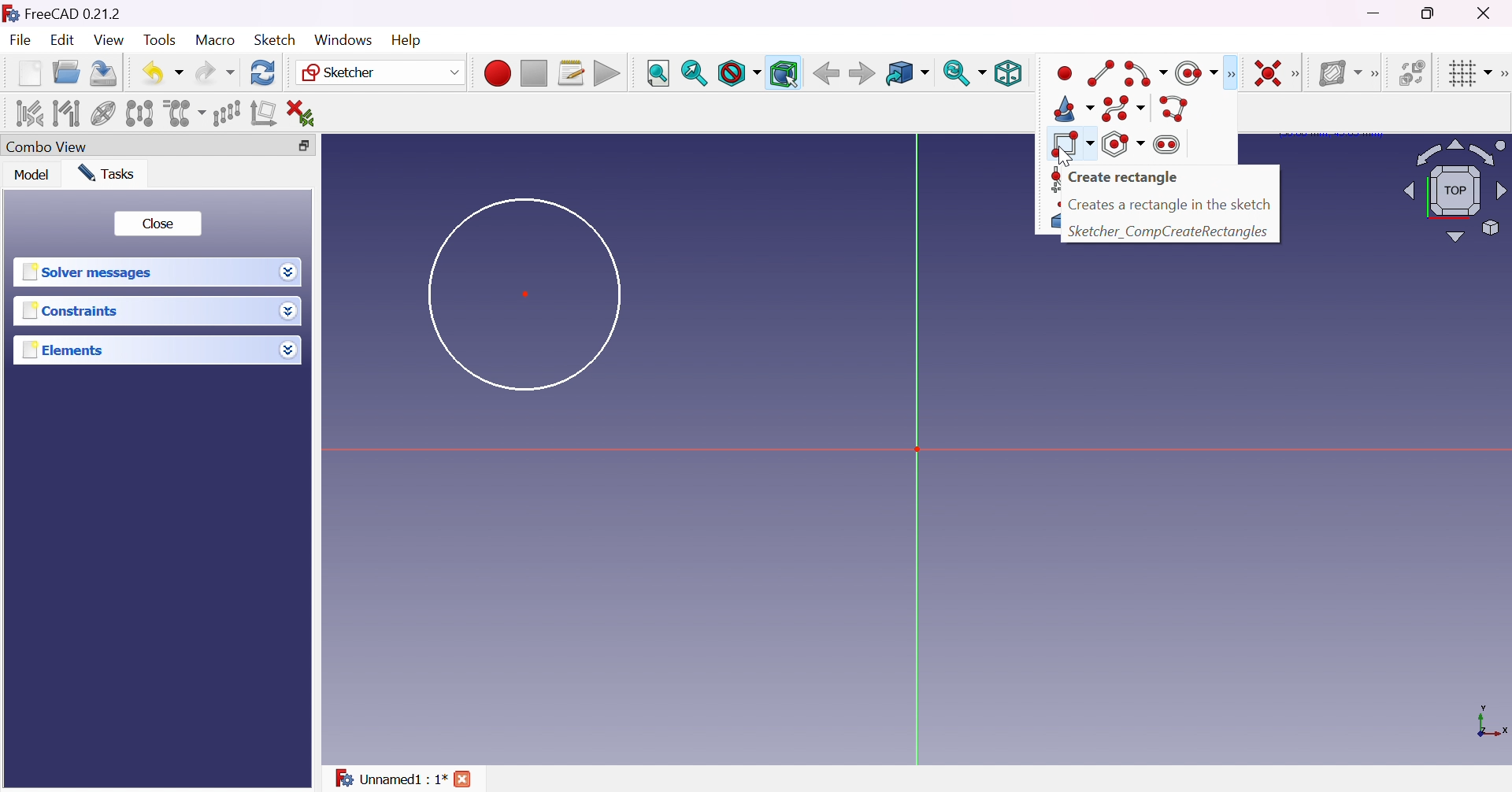 The image size is (1512, 792). What do you see at coordinates (1102, 73) in the screenshot?
I see `line` at bounding box center [1102, 73].